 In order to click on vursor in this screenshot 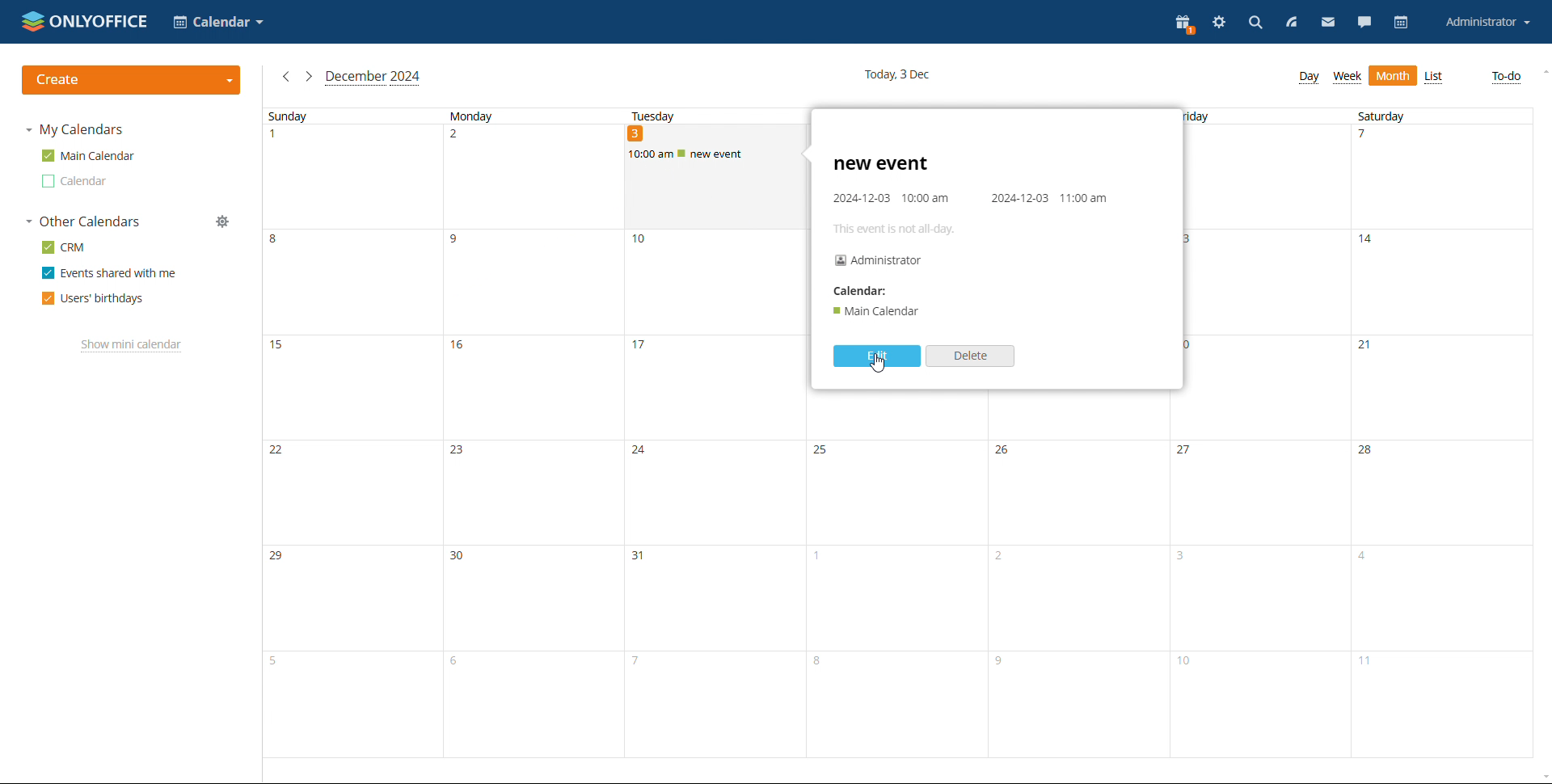, I will do `click(656, 165)`.